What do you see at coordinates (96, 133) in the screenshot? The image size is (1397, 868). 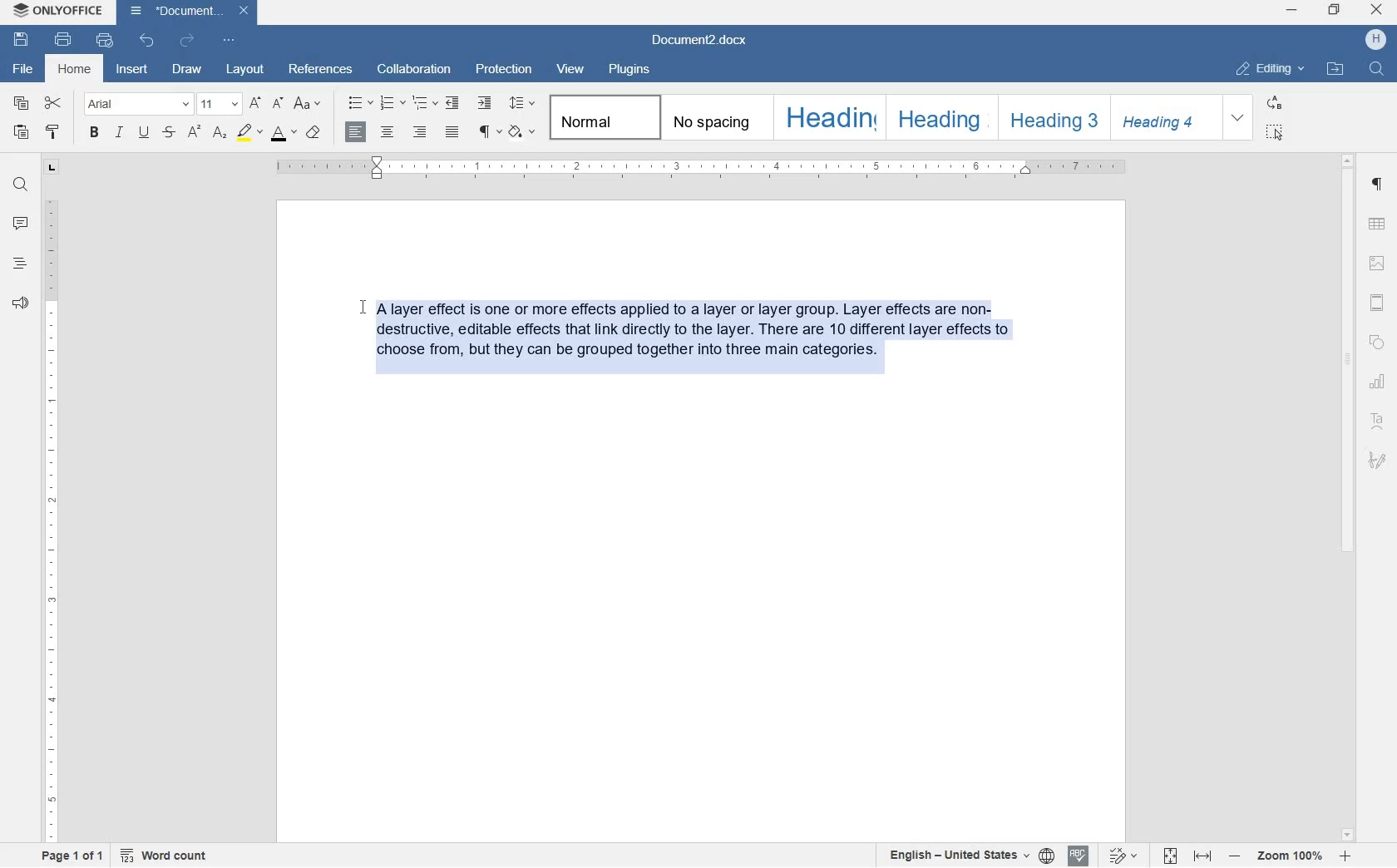 I see `bold` at bounding box center [96, 133].